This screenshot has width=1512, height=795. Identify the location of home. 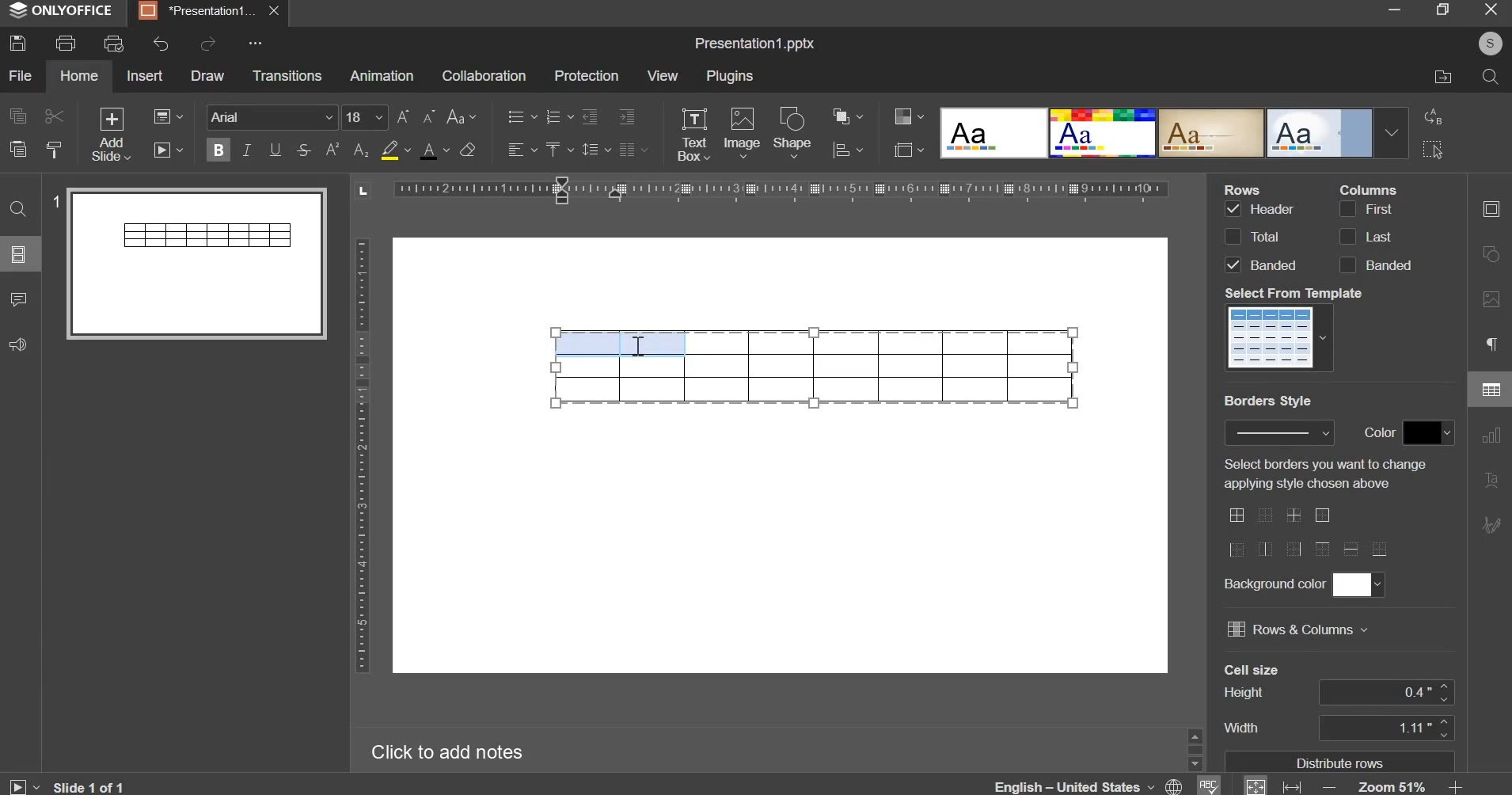
(78, 75).